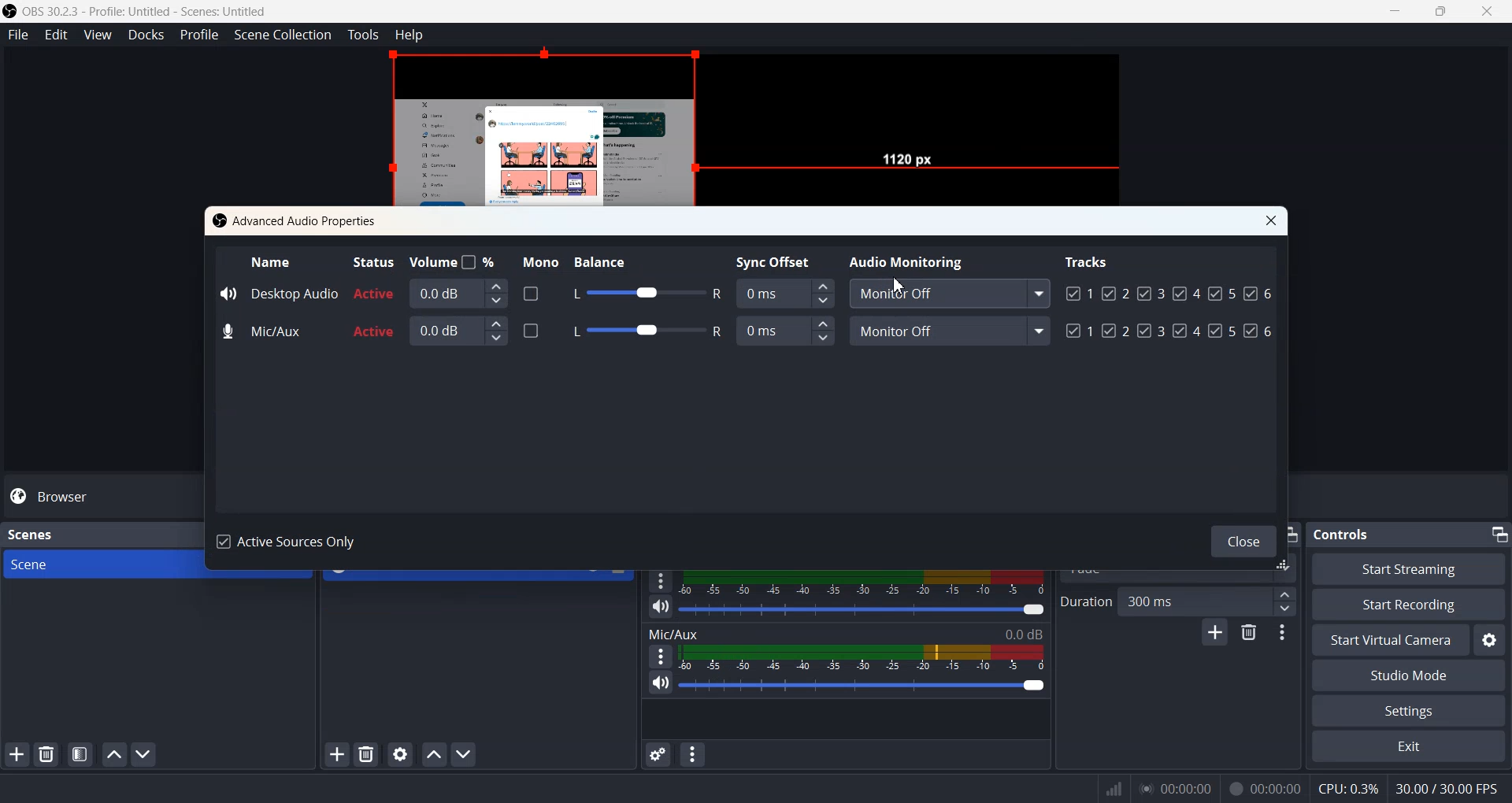 This screenshot has width=1512, height=803. Describe the element at coordinates (113, 754) in the screenshot. I see `Move scene up` at that location.